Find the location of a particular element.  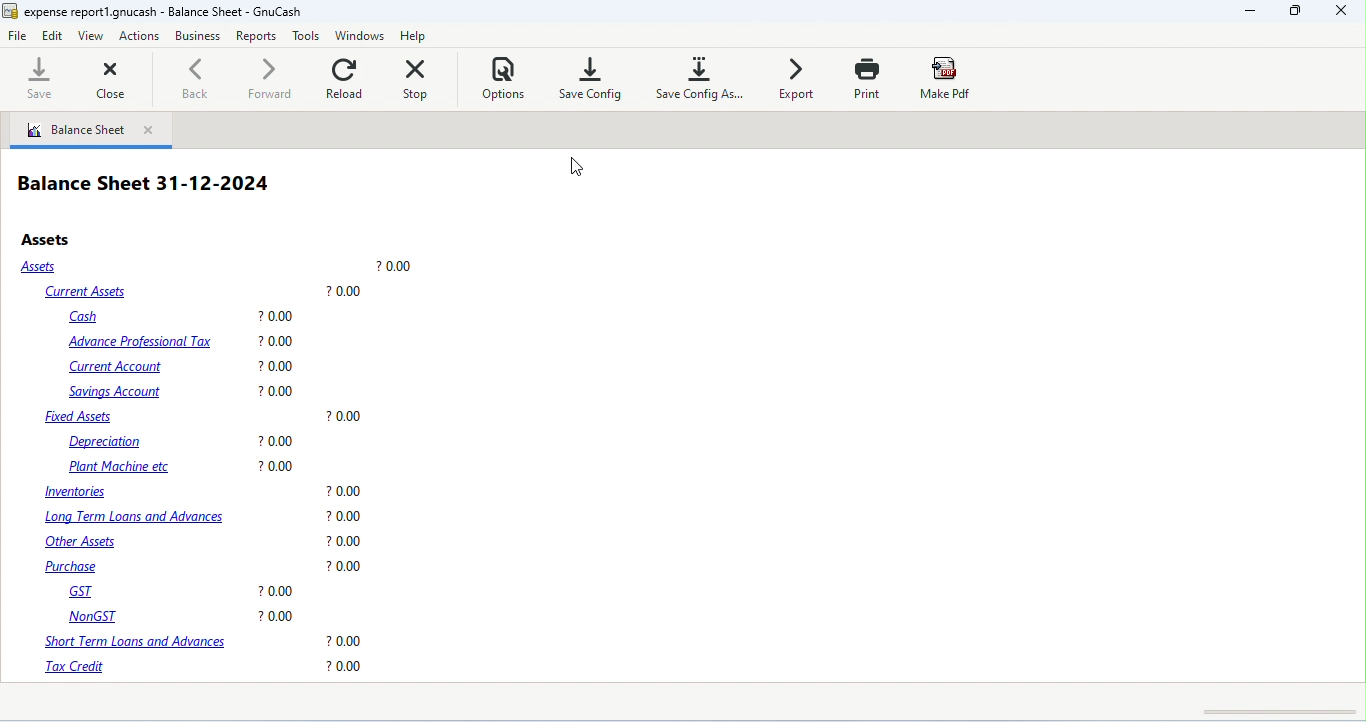

assets is located at coordinates (217, 267).